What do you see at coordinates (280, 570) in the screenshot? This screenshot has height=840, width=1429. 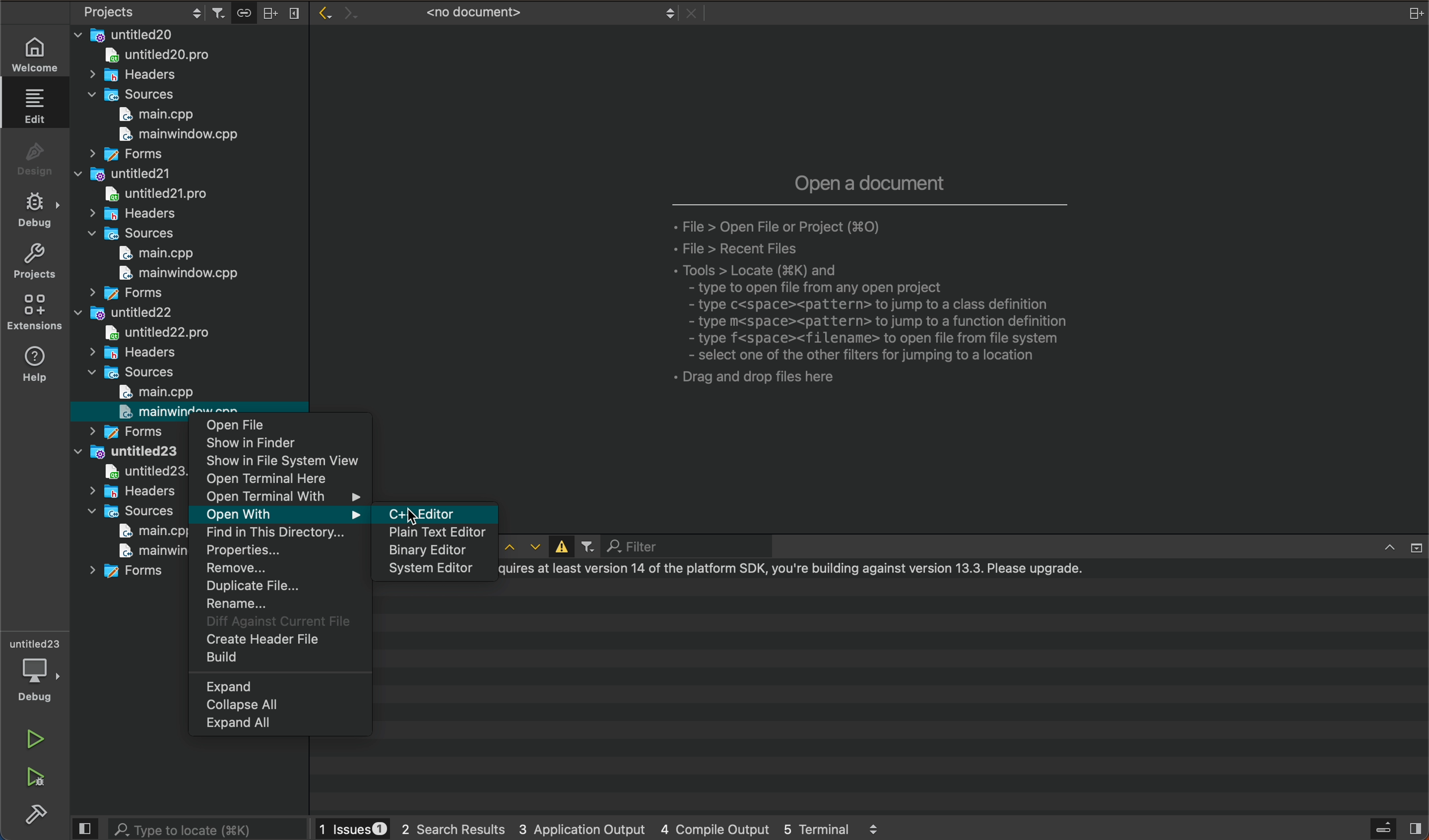 I see `remove` at bounding box center [280, 570].